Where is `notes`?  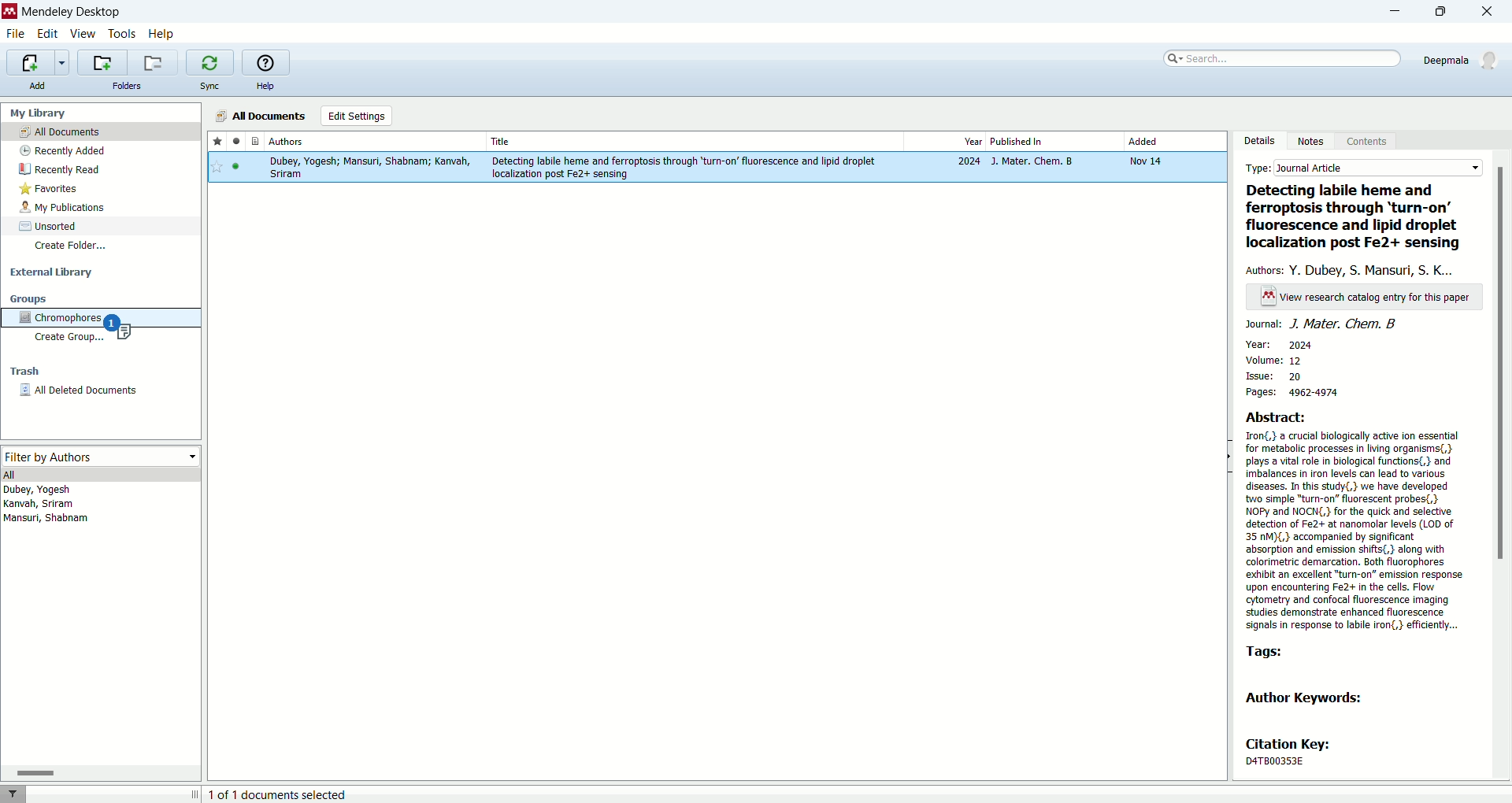 notes is located at coordinates (1314, 142).